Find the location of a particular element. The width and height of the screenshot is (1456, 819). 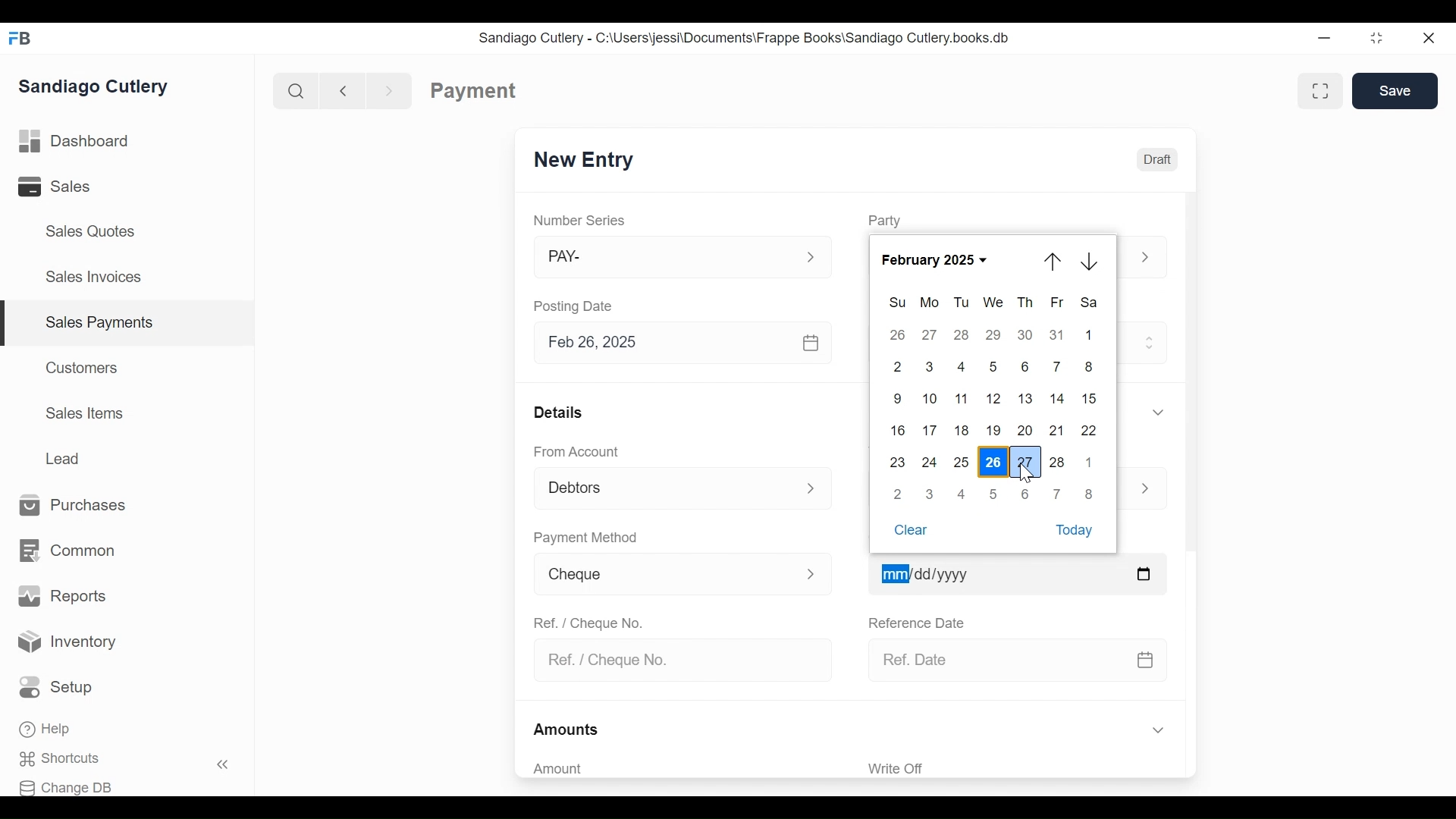

New Entry is located at coordinates (584, 161).